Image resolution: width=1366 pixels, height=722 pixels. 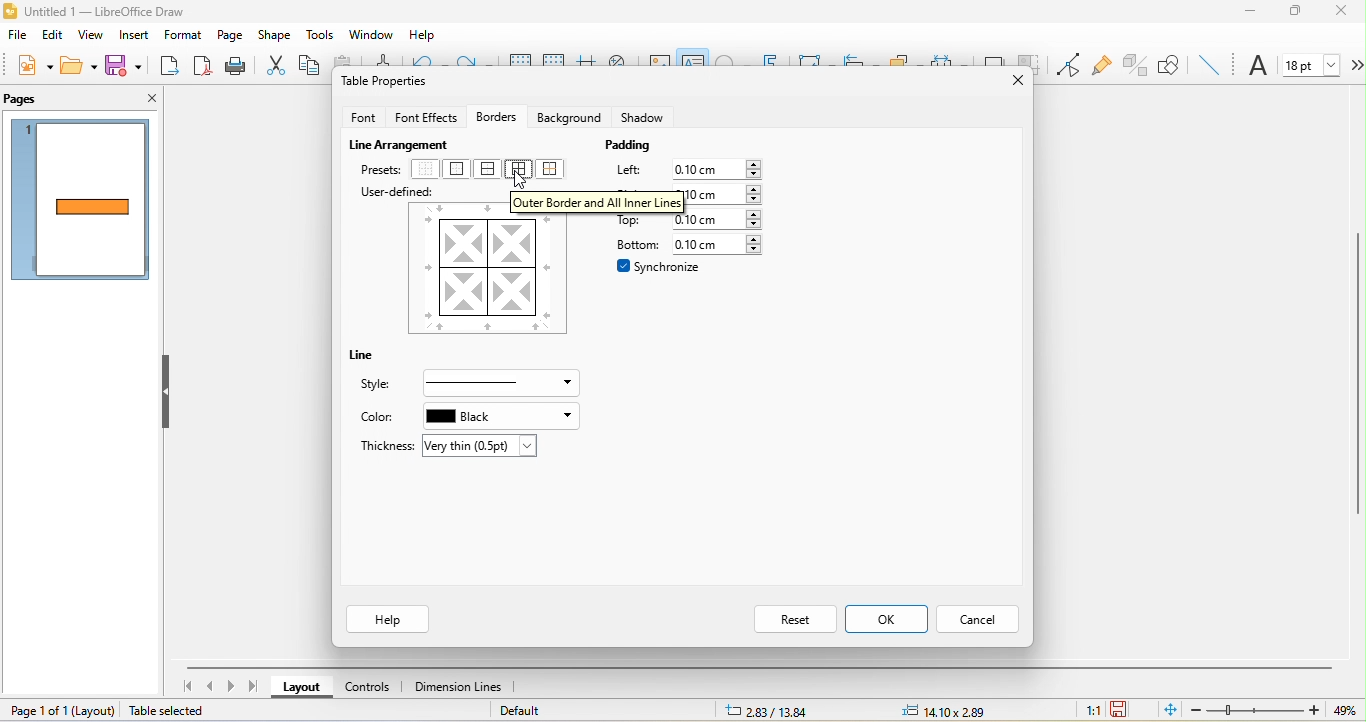 What do you see at coordinates (794, 621) in the screenshot?
I see `reset` at bounding box center [794, 621].